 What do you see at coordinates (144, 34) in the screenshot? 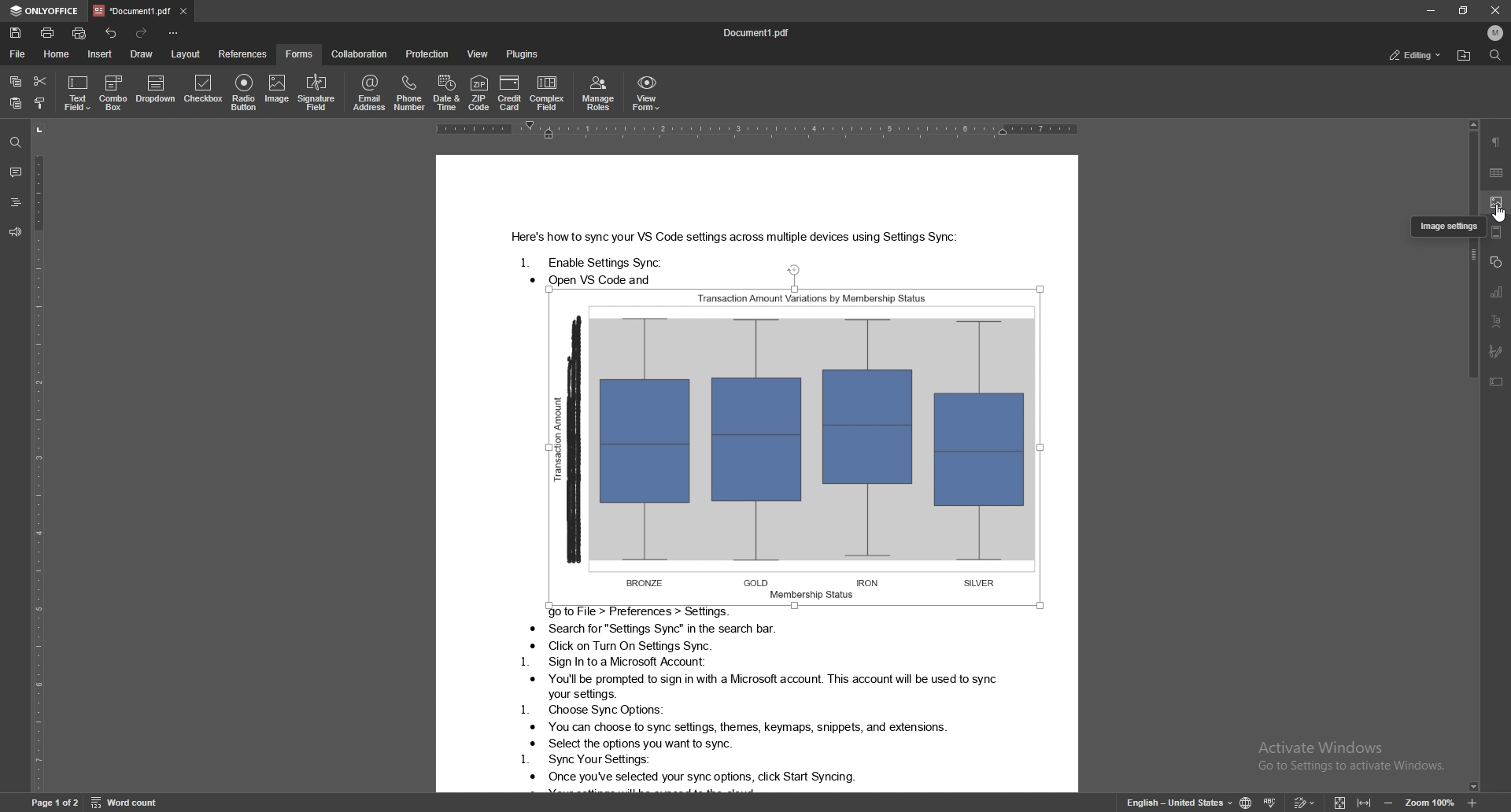
I see `redo` at bounding box center [144, 34].